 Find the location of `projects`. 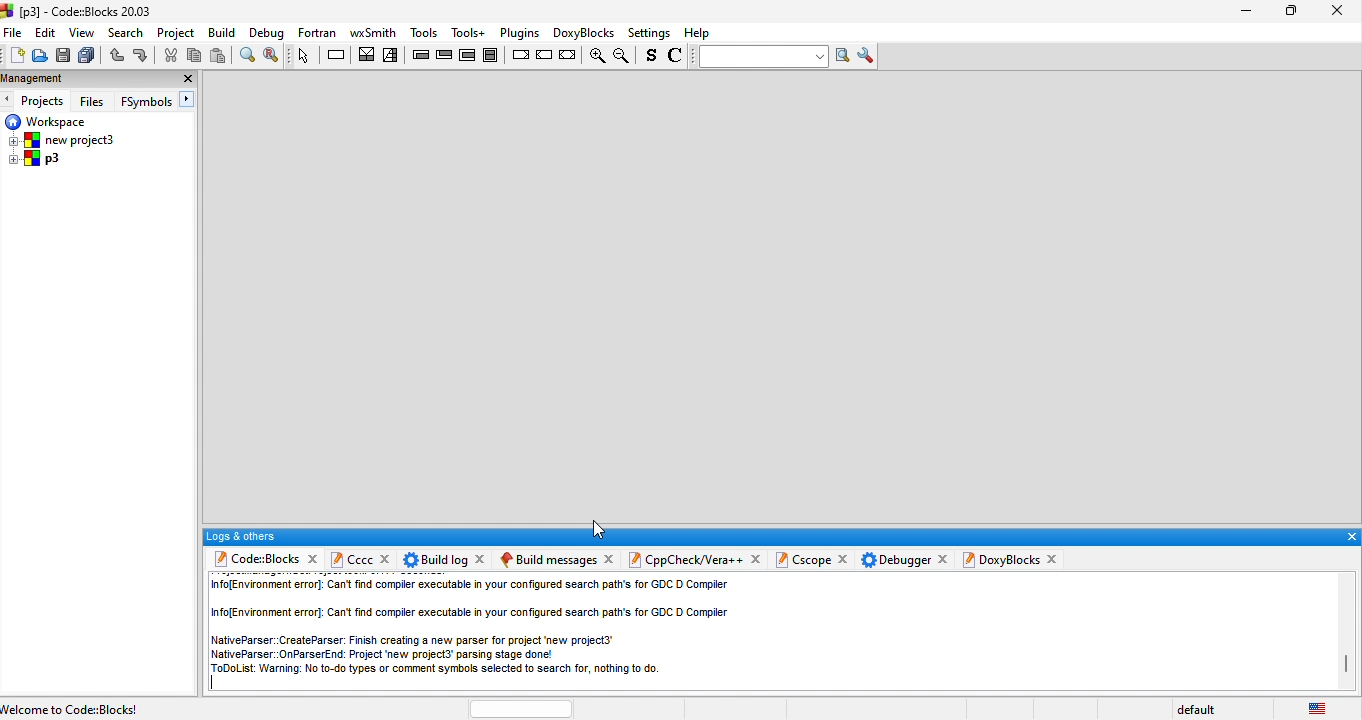

projects is located at coordinates (45, 101).